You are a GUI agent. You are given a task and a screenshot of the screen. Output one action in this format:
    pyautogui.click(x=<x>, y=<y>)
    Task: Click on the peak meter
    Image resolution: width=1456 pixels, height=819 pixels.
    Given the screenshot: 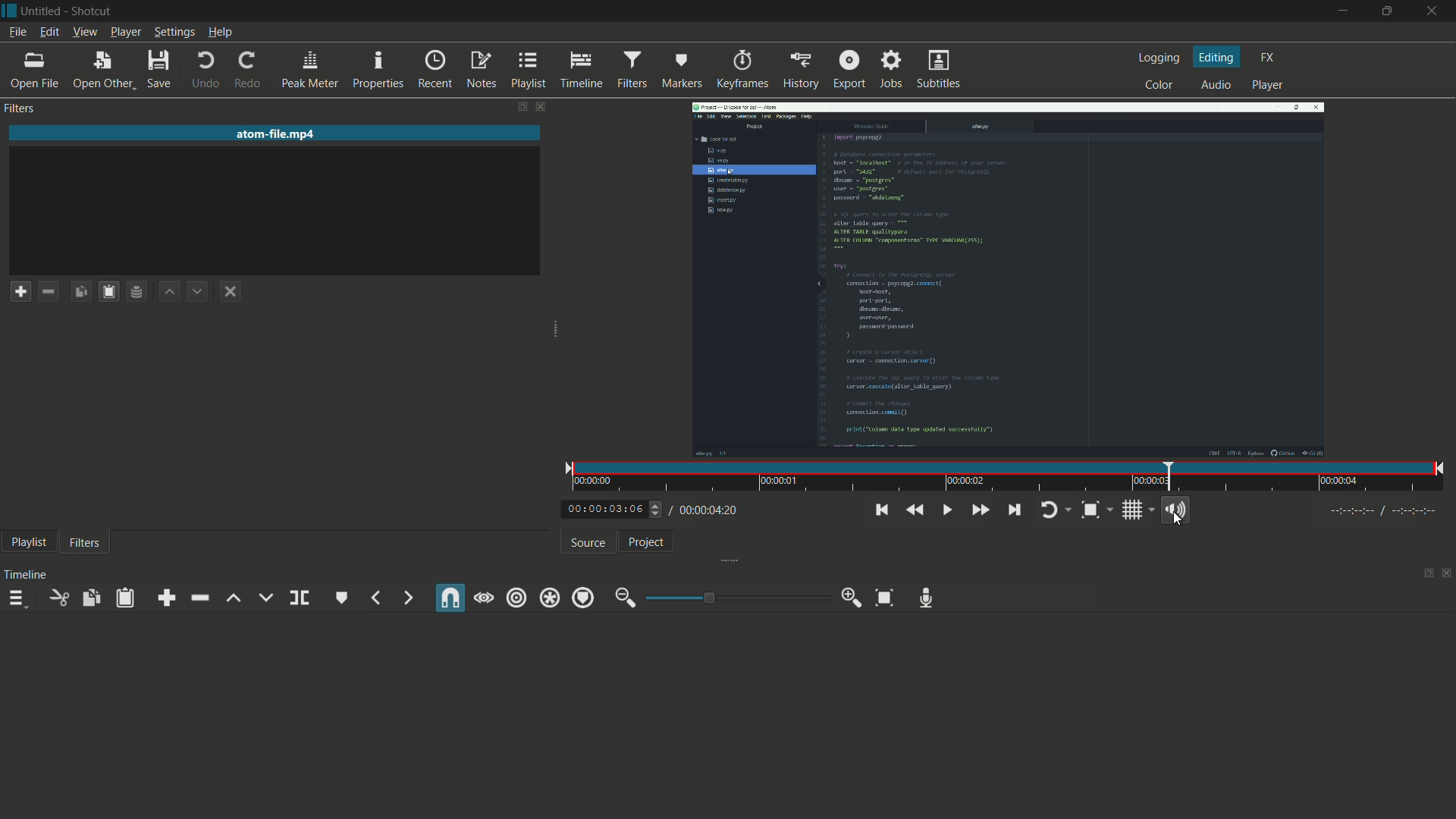 What is the action you would take?
    pyautogui.click(x=308, y=71)
    